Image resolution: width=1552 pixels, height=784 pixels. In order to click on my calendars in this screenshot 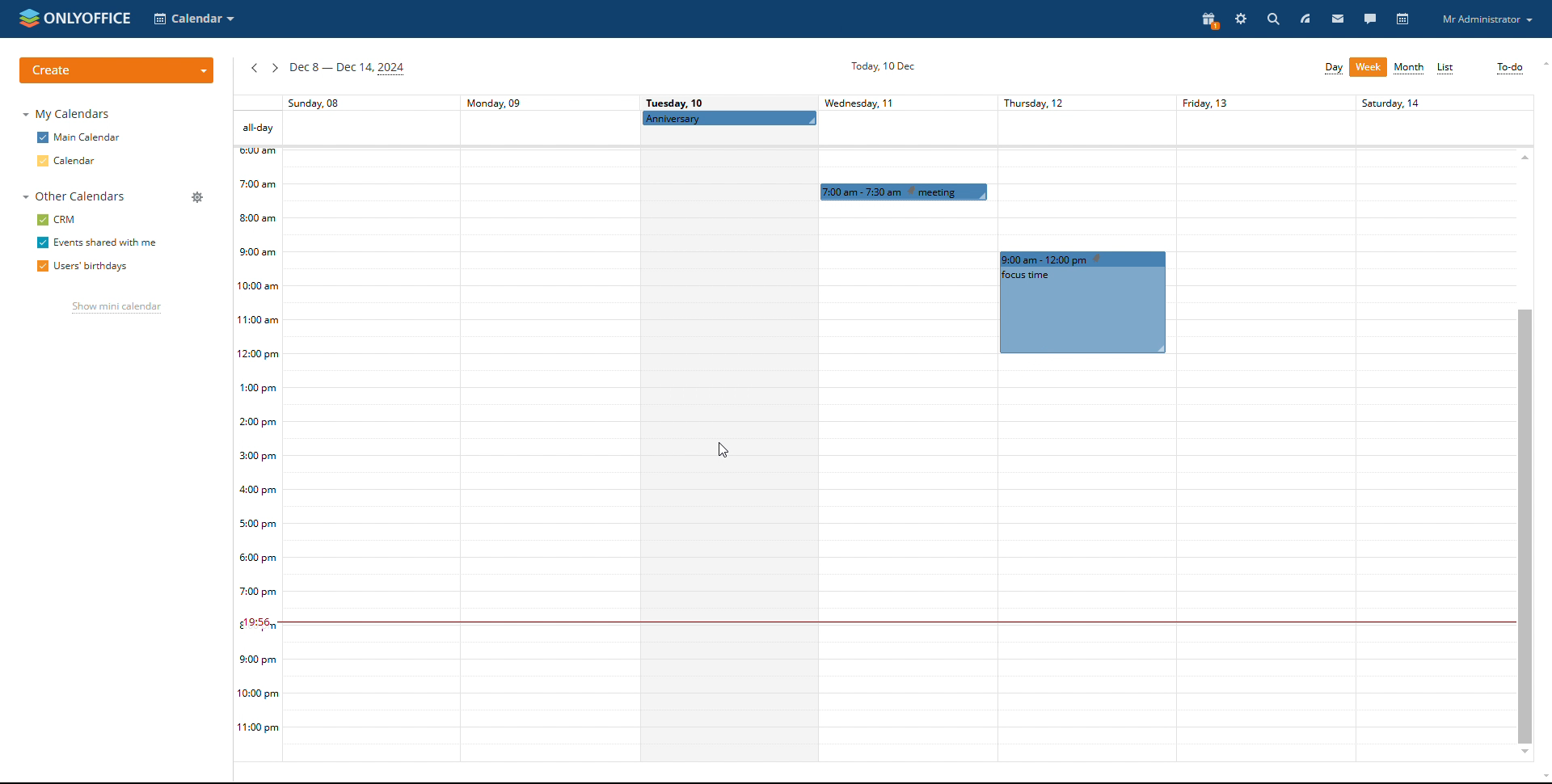, I will do `click(70, 115)`.